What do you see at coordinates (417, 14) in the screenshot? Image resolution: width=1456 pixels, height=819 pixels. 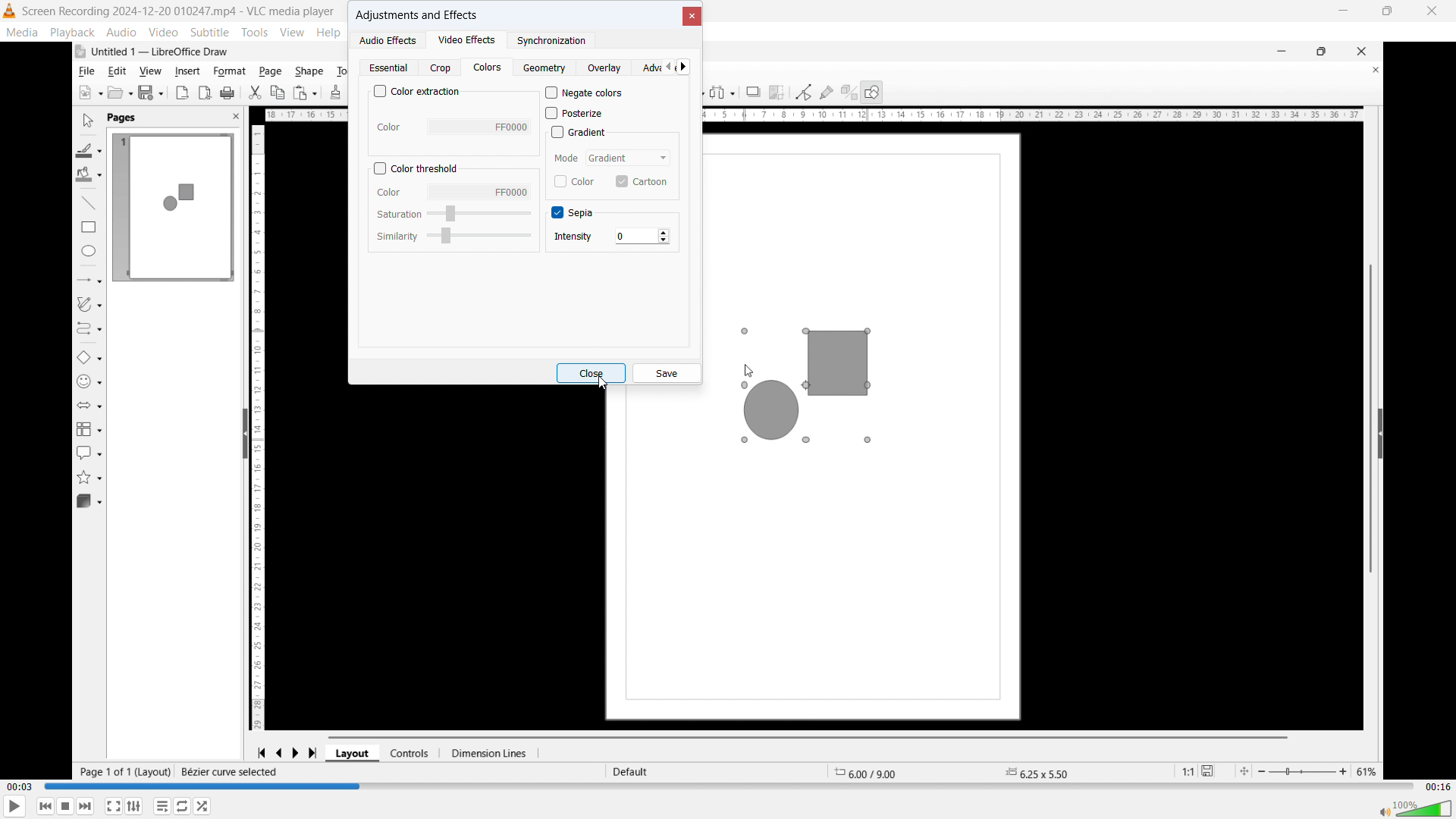 I see `Adjustments and effects ` at bounding box center [417, 14].